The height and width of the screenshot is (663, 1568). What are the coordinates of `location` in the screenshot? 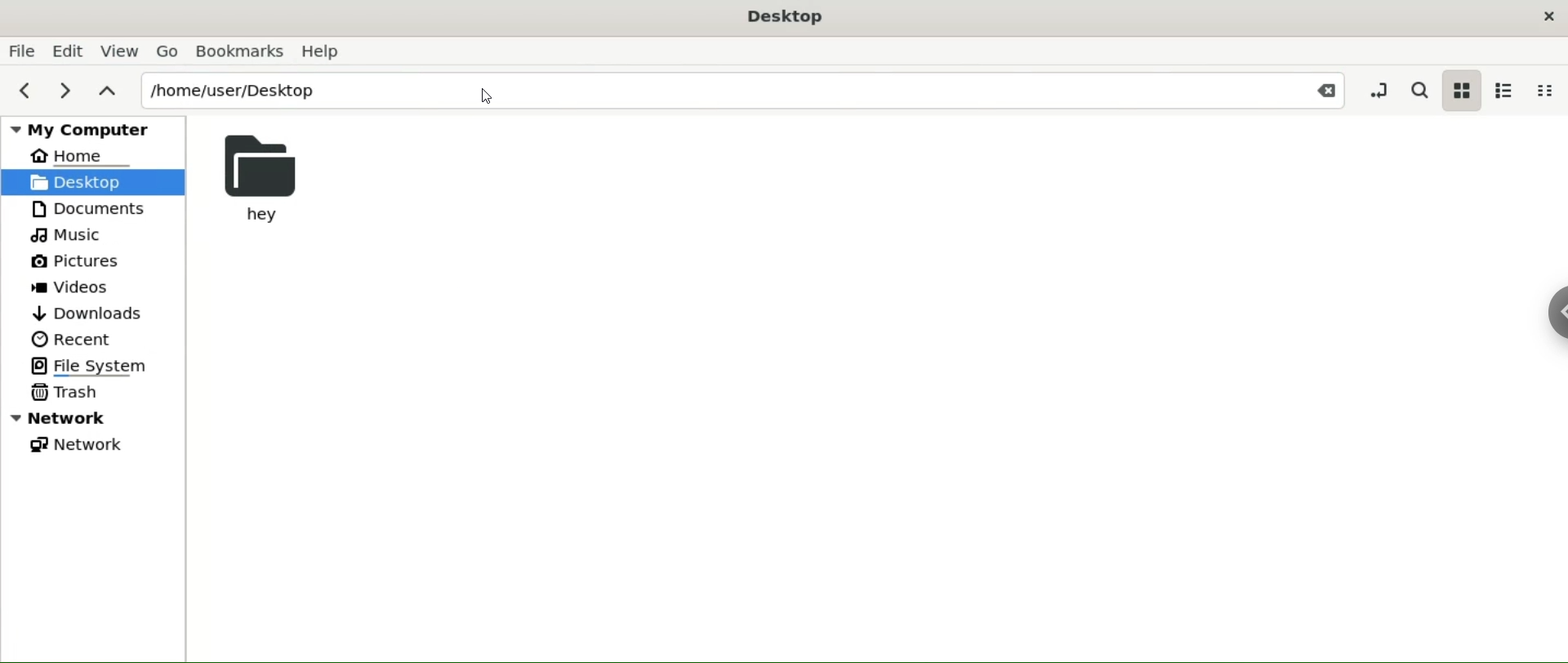 It's located at (746, 90).